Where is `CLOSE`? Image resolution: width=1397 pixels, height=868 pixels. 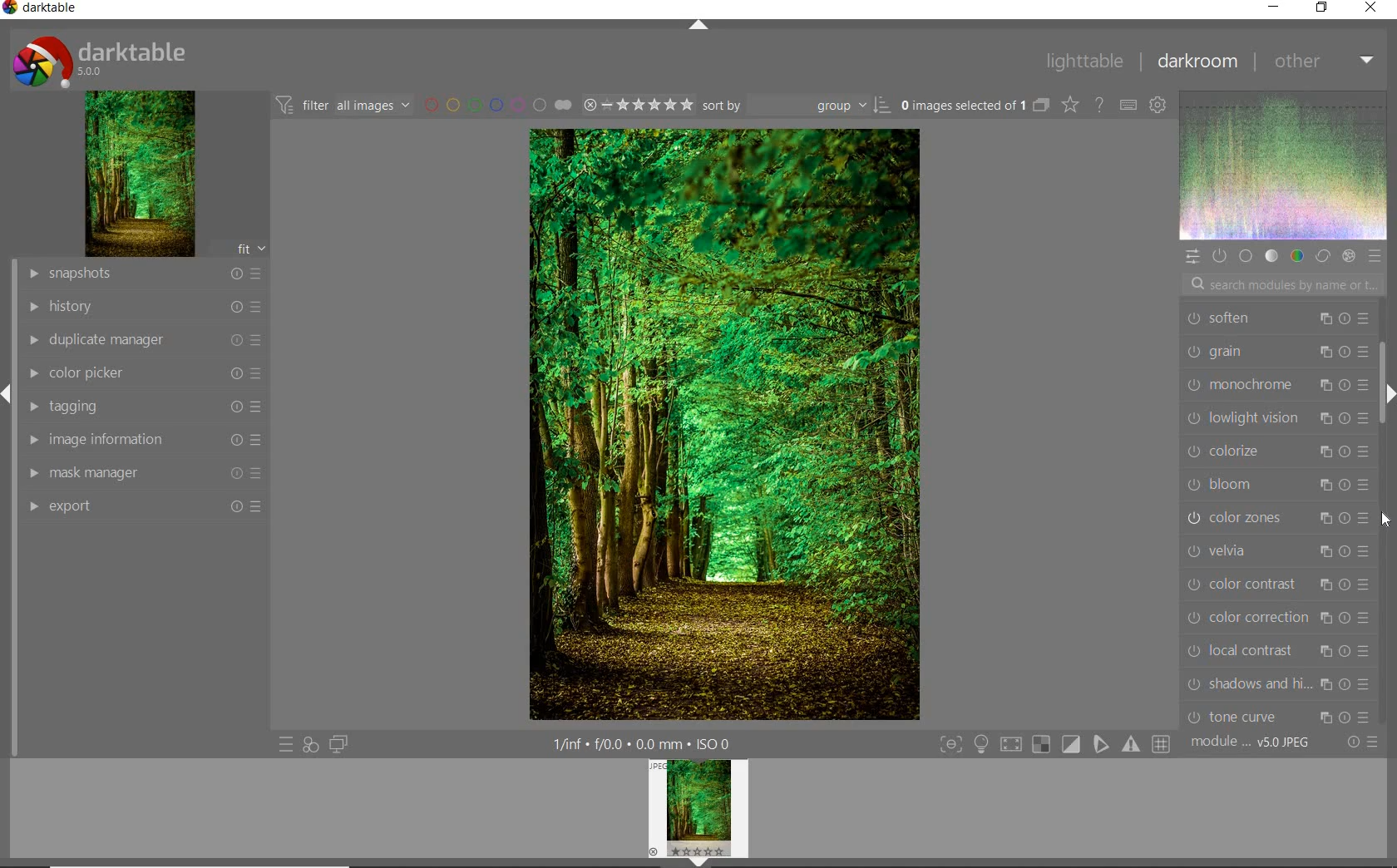
CLOSE is located at coordinates (1376, 8).